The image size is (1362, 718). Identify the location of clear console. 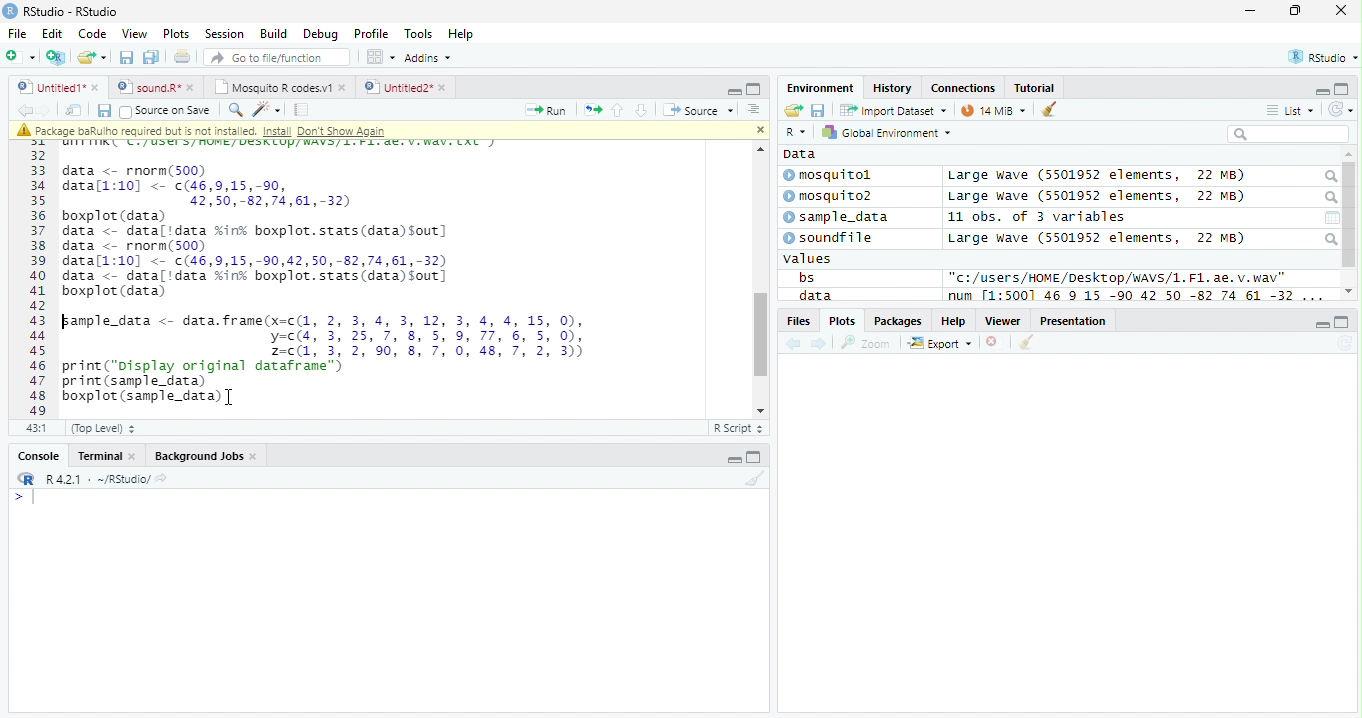
(1049, 108).